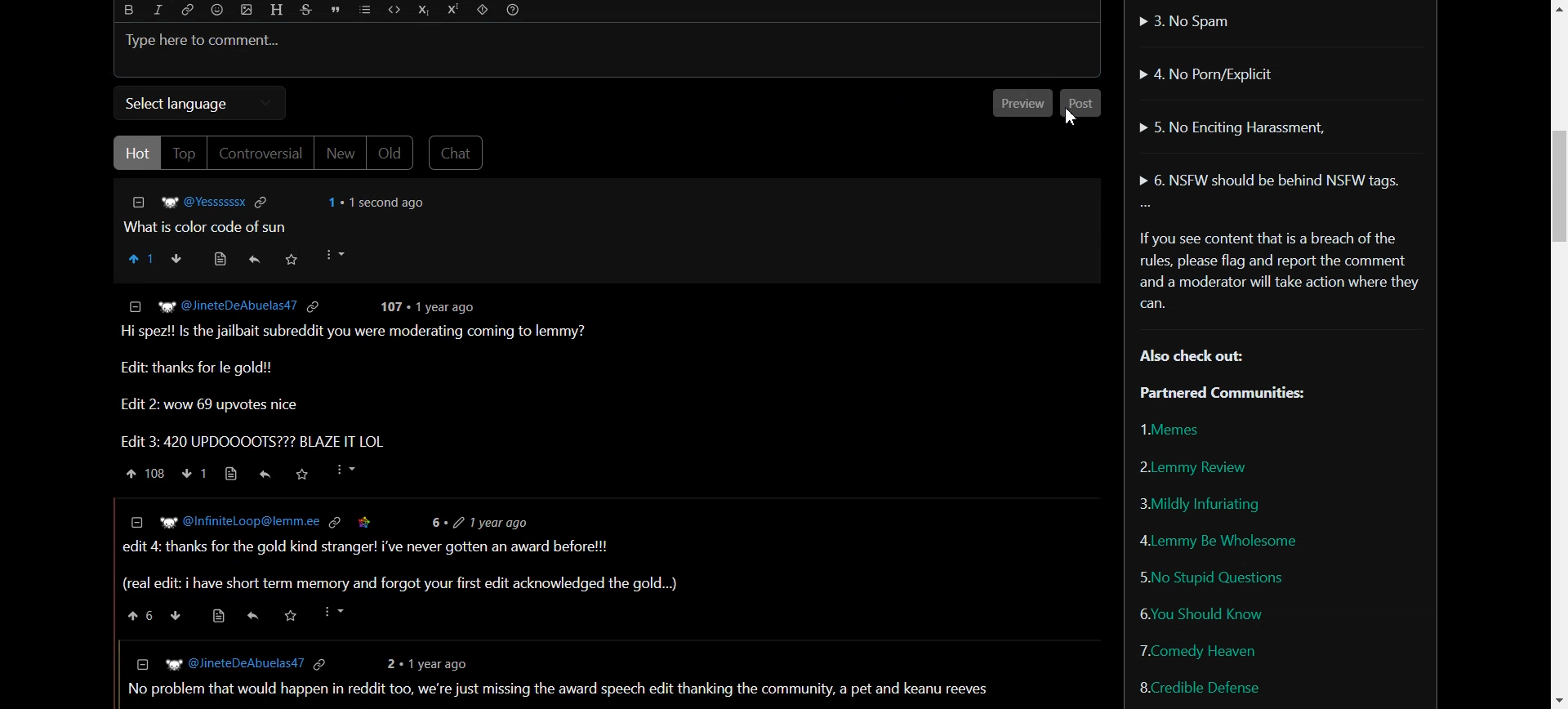 The image size is (1568, 709). I want to click on Code, so click(395, 10).